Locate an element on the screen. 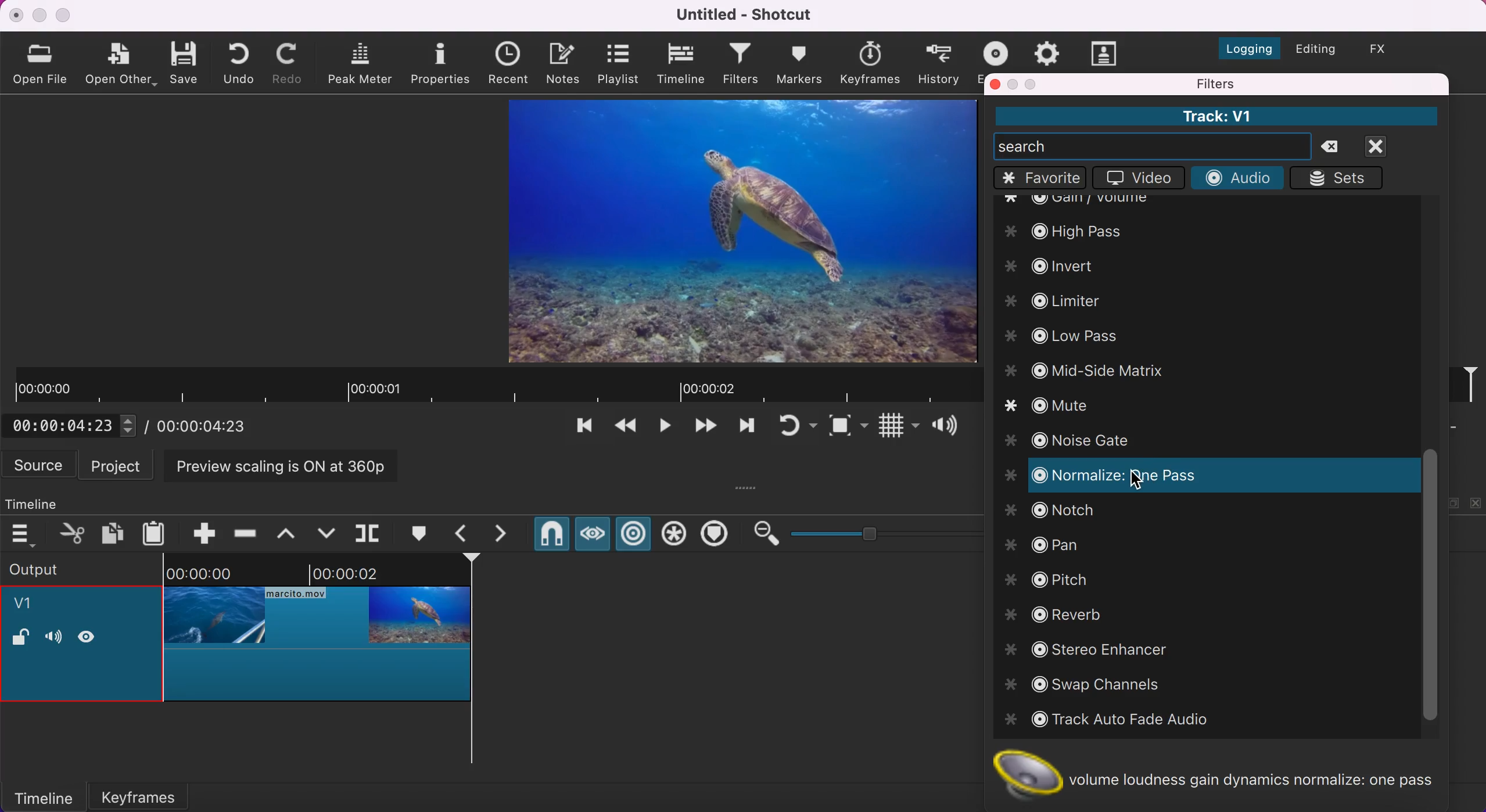 This screenshot has width=1486, height=812. delete is located at coordinates (1336, 148).